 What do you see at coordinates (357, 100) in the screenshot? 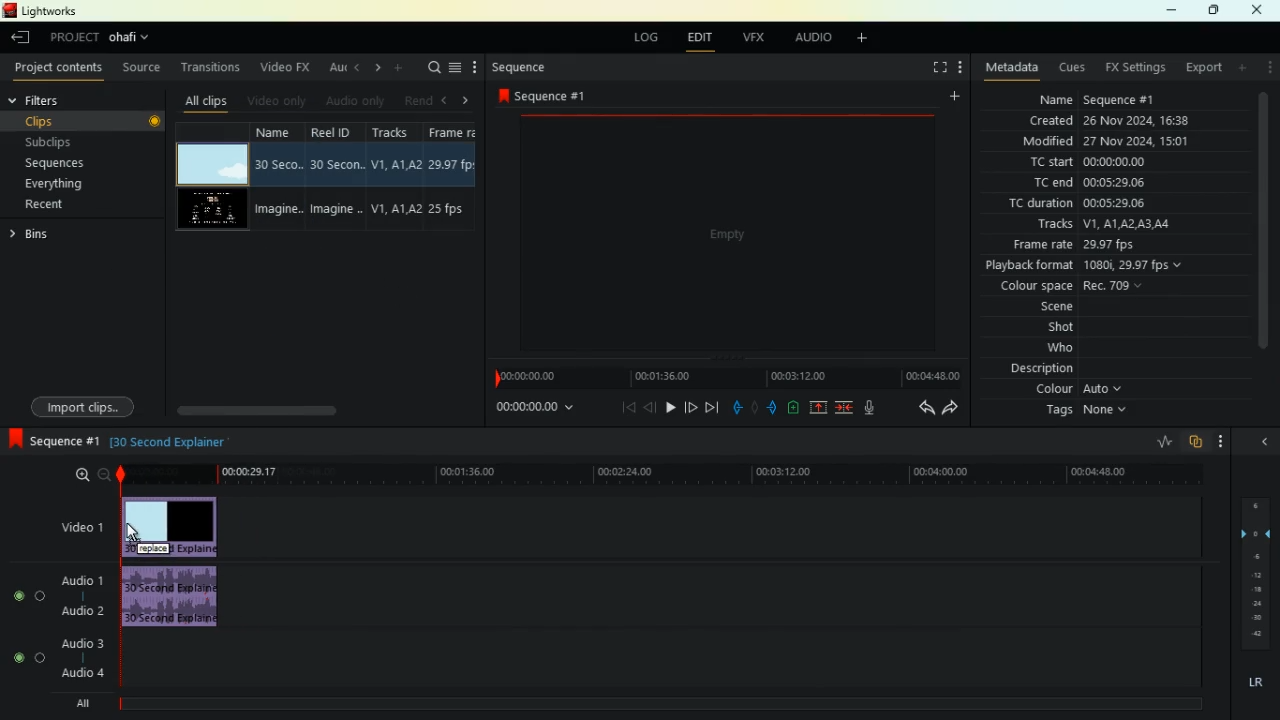
I see `audio only` at bounding box center [357, 100].